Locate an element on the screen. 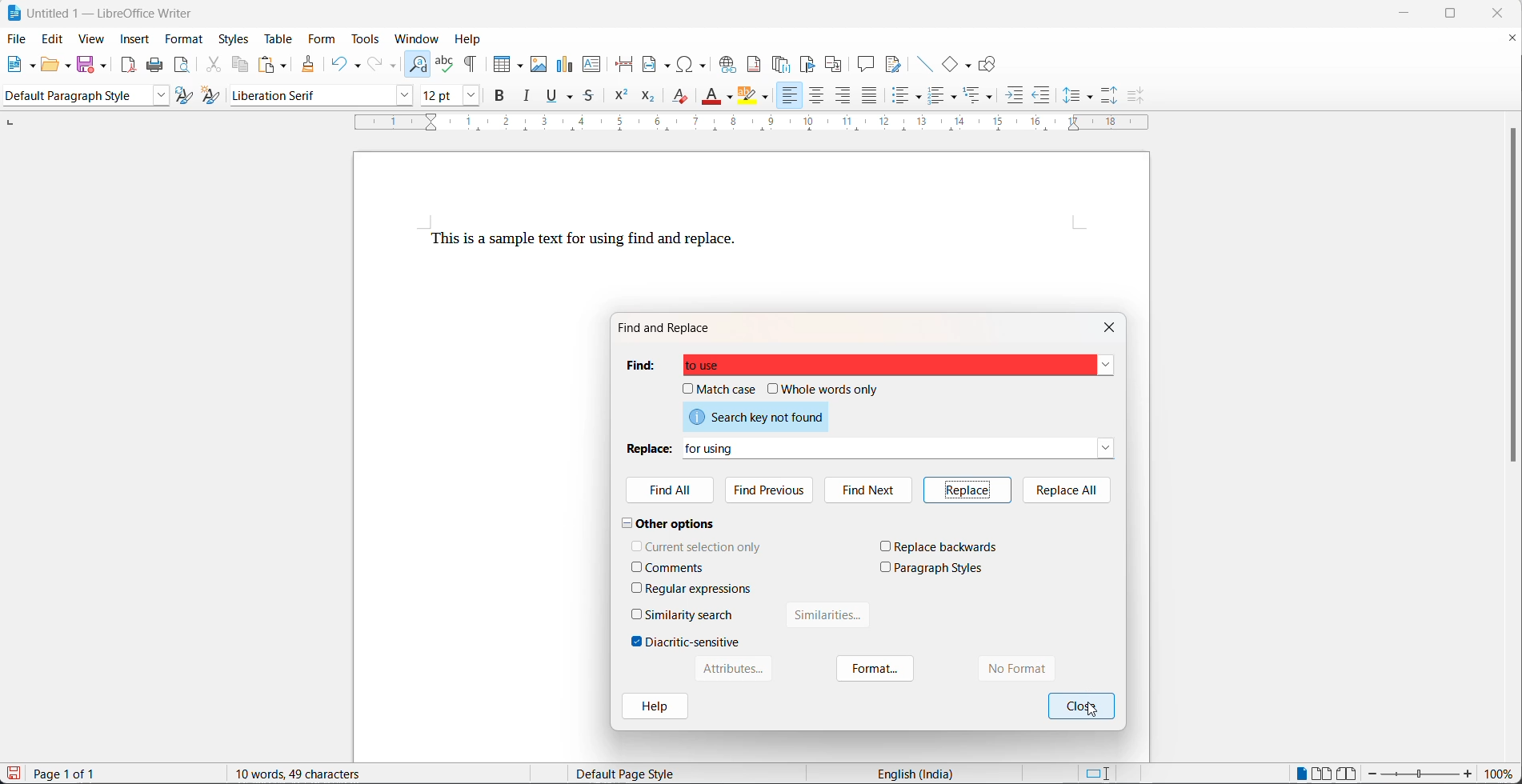 Image resolution: width=1522 pixels, height=784 pixels. scaling is located at coordinates (763, 124).